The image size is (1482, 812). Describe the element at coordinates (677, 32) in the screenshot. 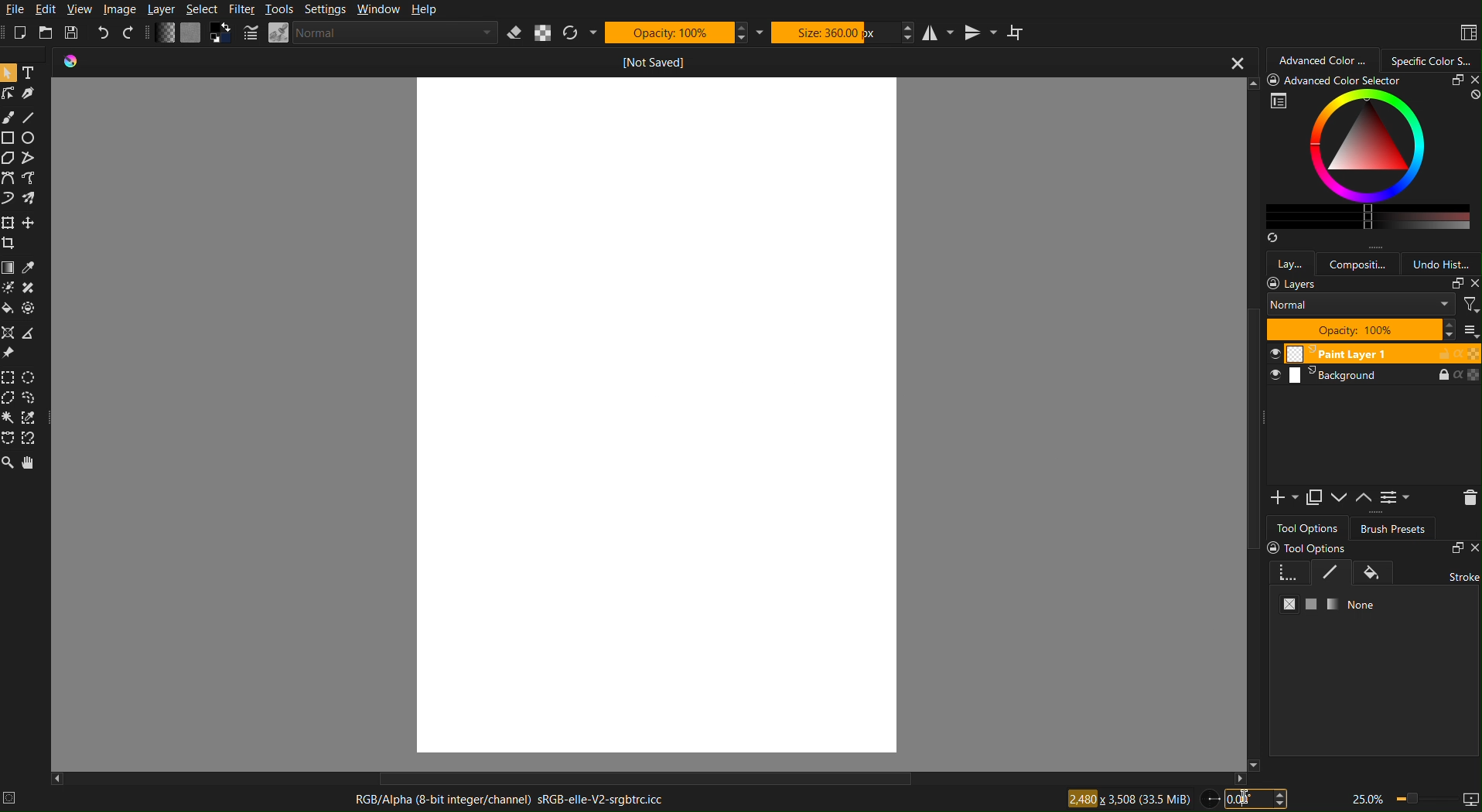

I see `Opacity` at that location.